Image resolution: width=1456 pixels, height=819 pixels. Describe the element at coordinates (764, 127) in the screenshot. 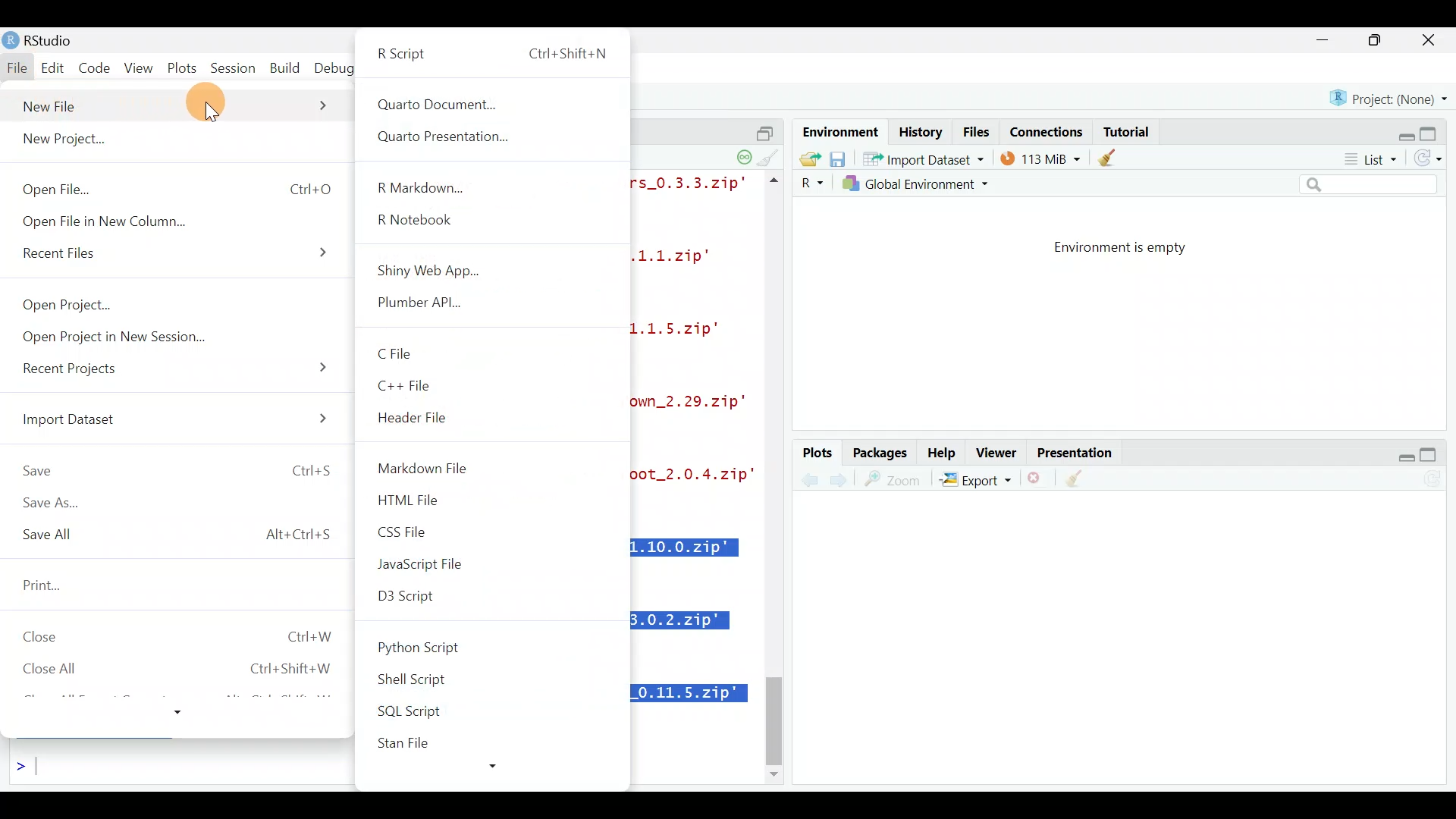

I see `split` at that location.